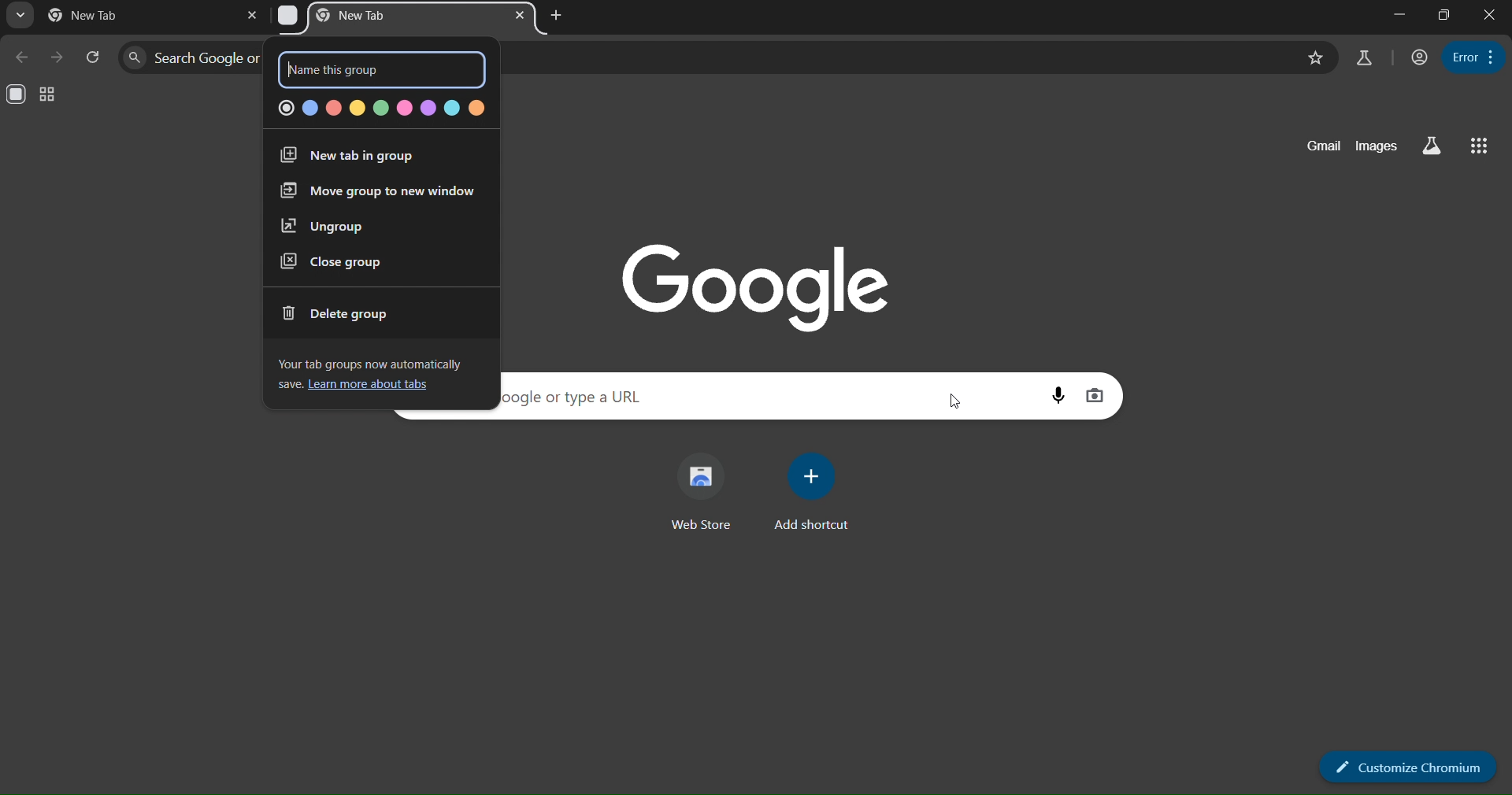 Image resolution: width=1512 pixels, height=795 pixels. What do you see at coordinates (94, 54) in the screenshot?
I see `reload` at bounding box center [94, 54].